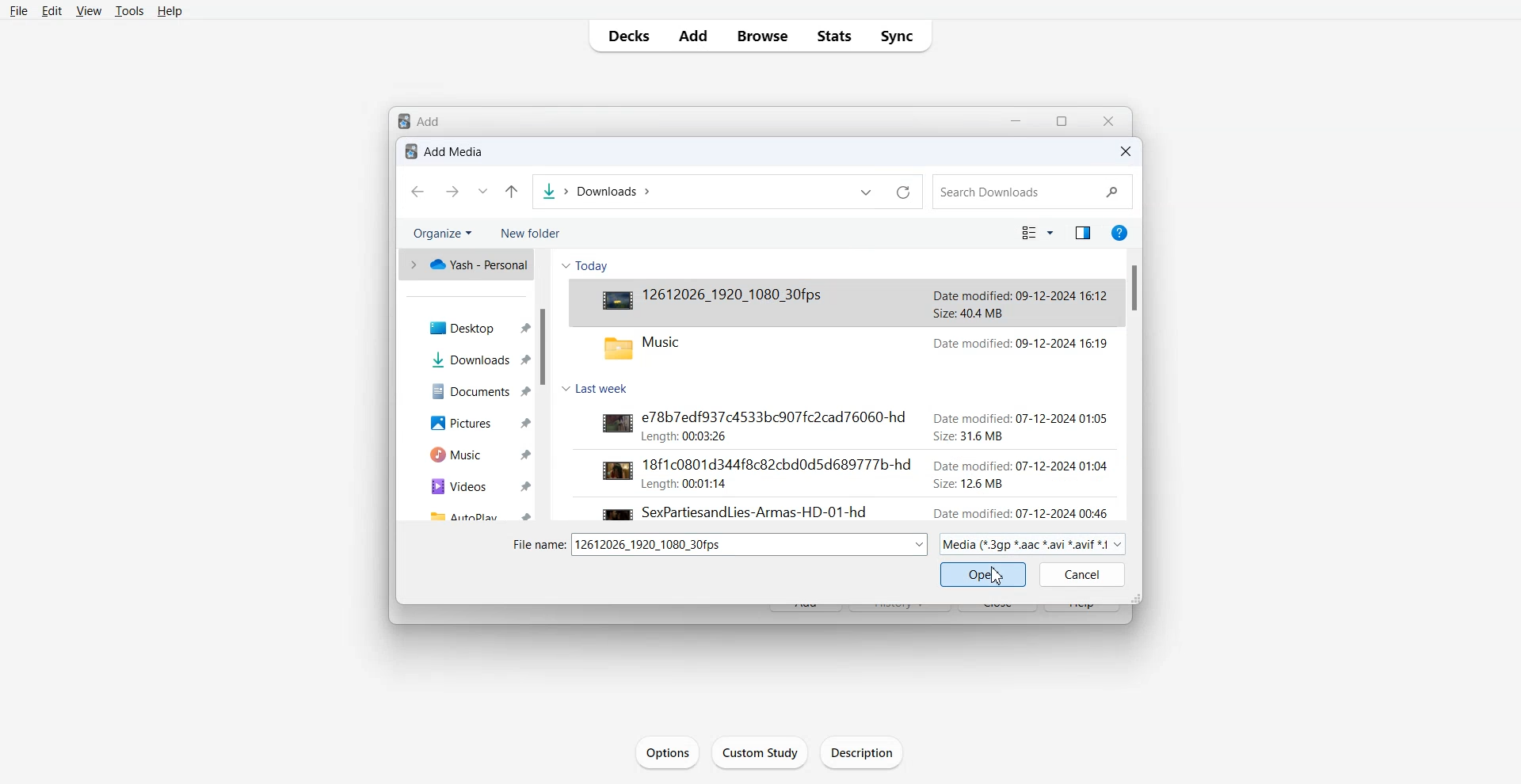  What do you see at coordinates (627, 36) in the screenshot?
I see `Decks` at bounding box center [627, 36].